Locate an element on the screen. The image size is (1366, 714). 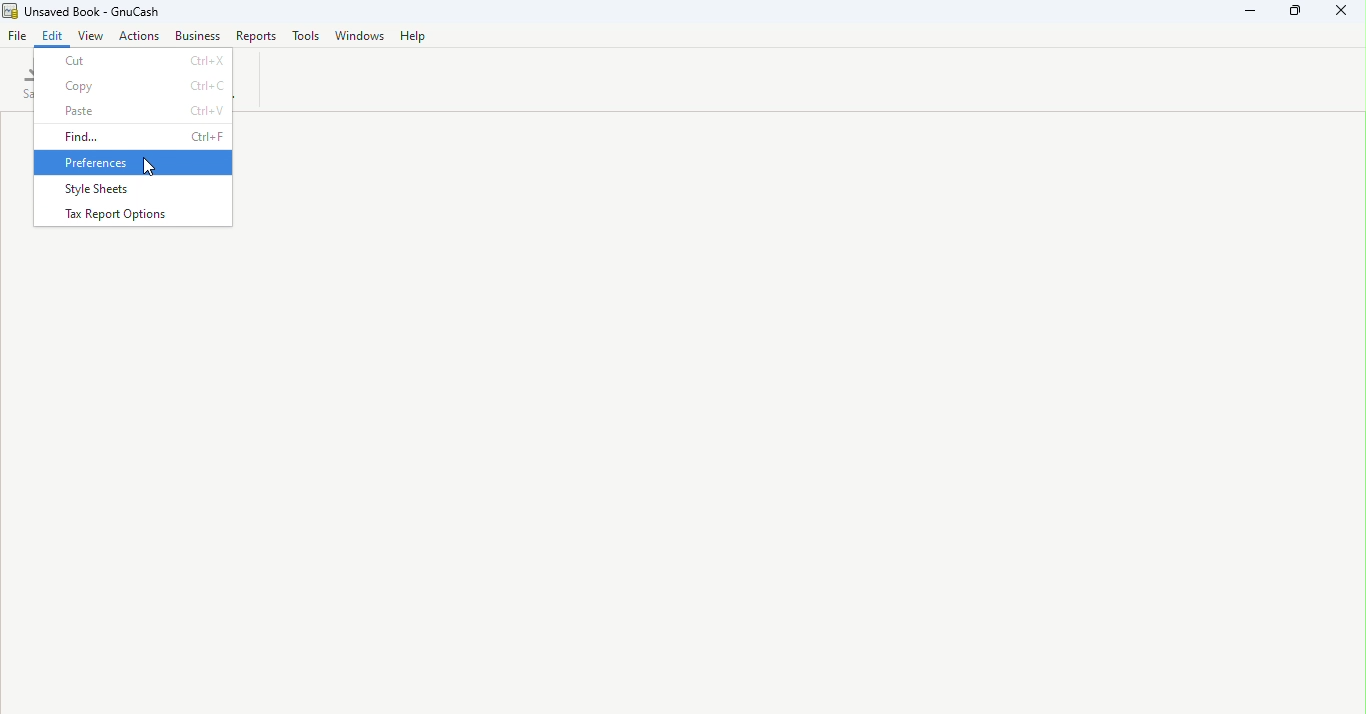
Copy is located at coordinates (136, 86).